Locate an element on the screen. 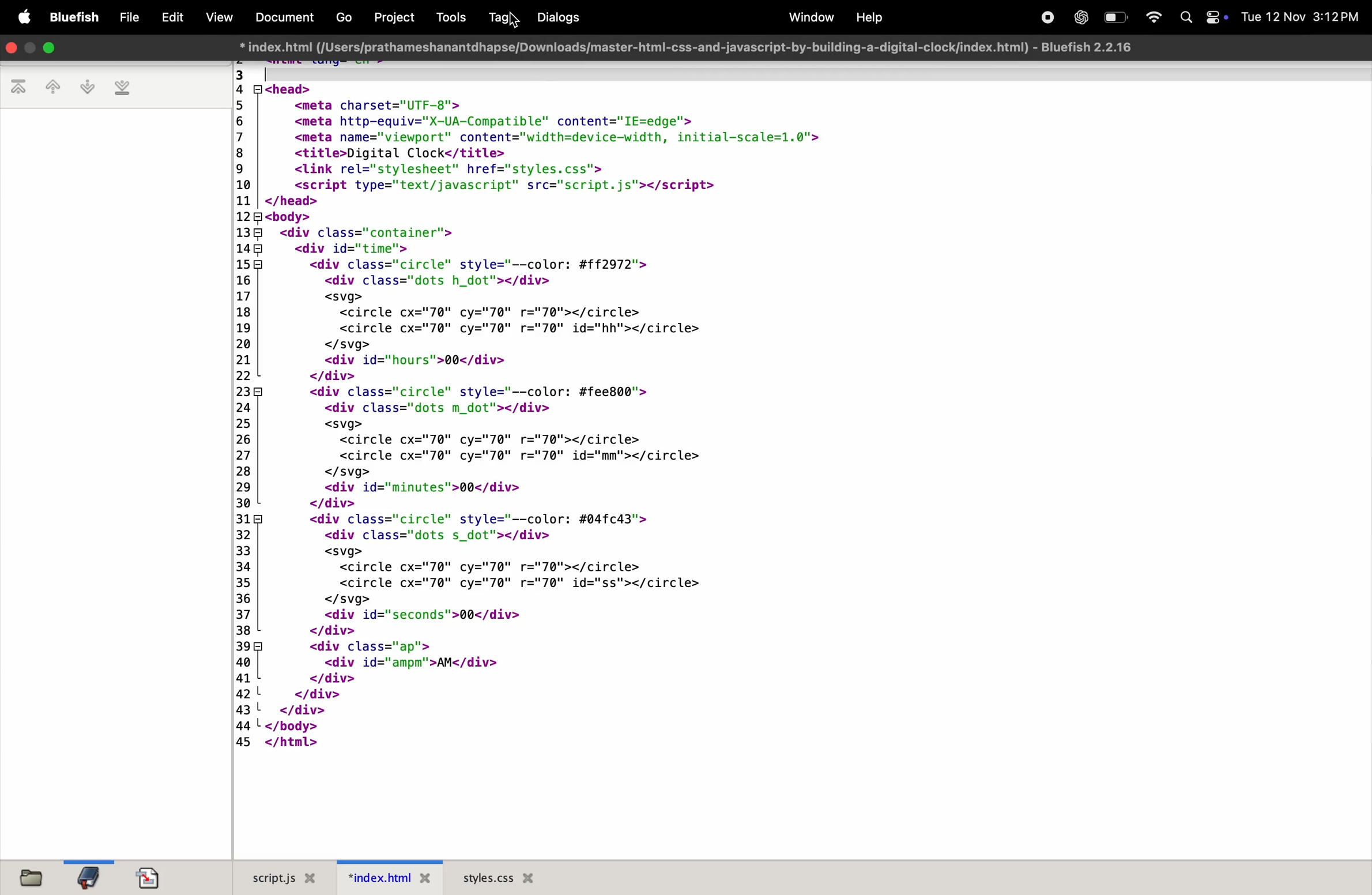 The height and width of the screenshot is (895, 1372). battery is located at coordinates (1115, 17).